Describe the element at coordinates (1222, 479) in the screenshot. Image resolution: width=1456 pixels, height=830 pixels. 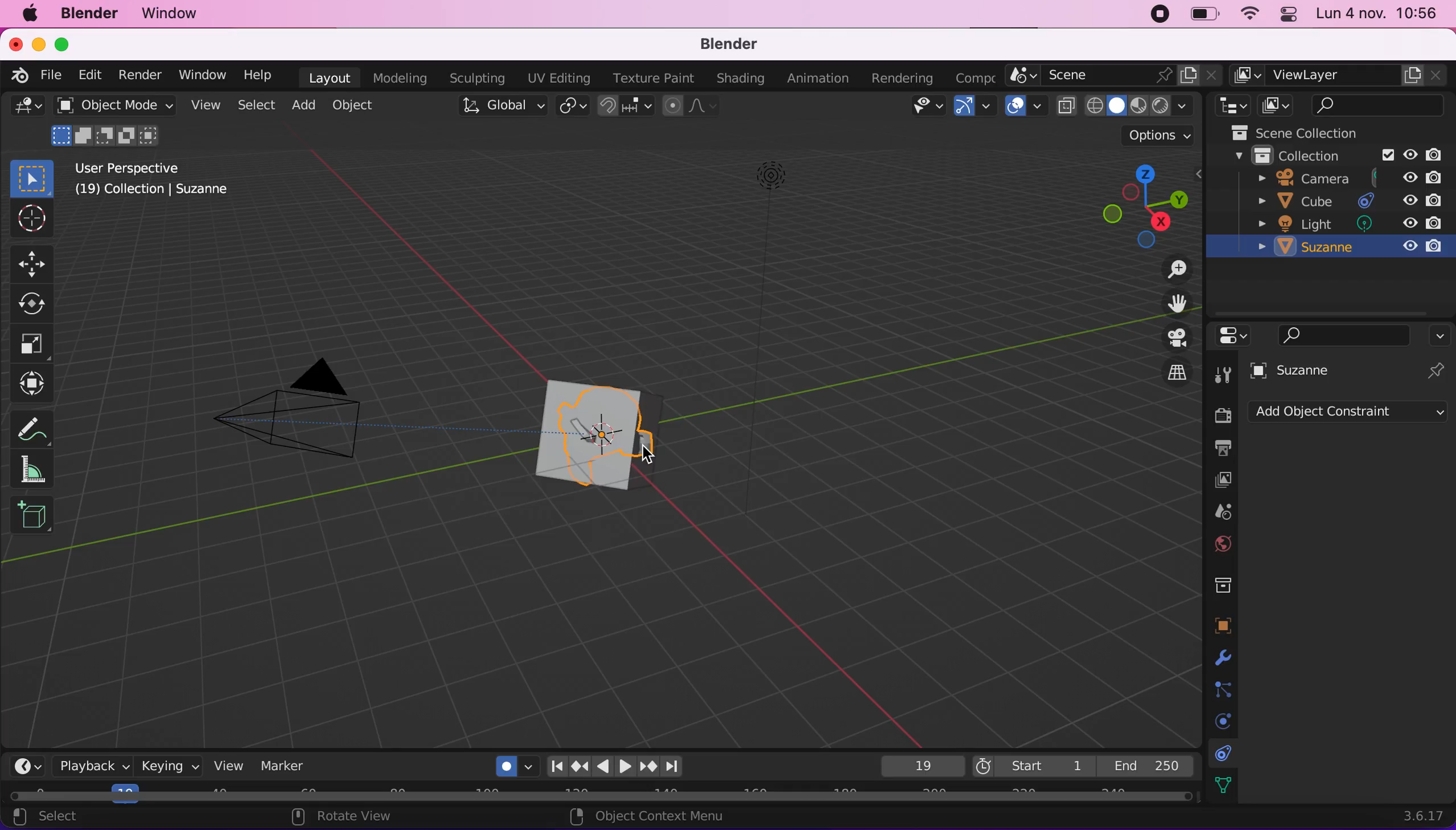
I see `display` at that location.